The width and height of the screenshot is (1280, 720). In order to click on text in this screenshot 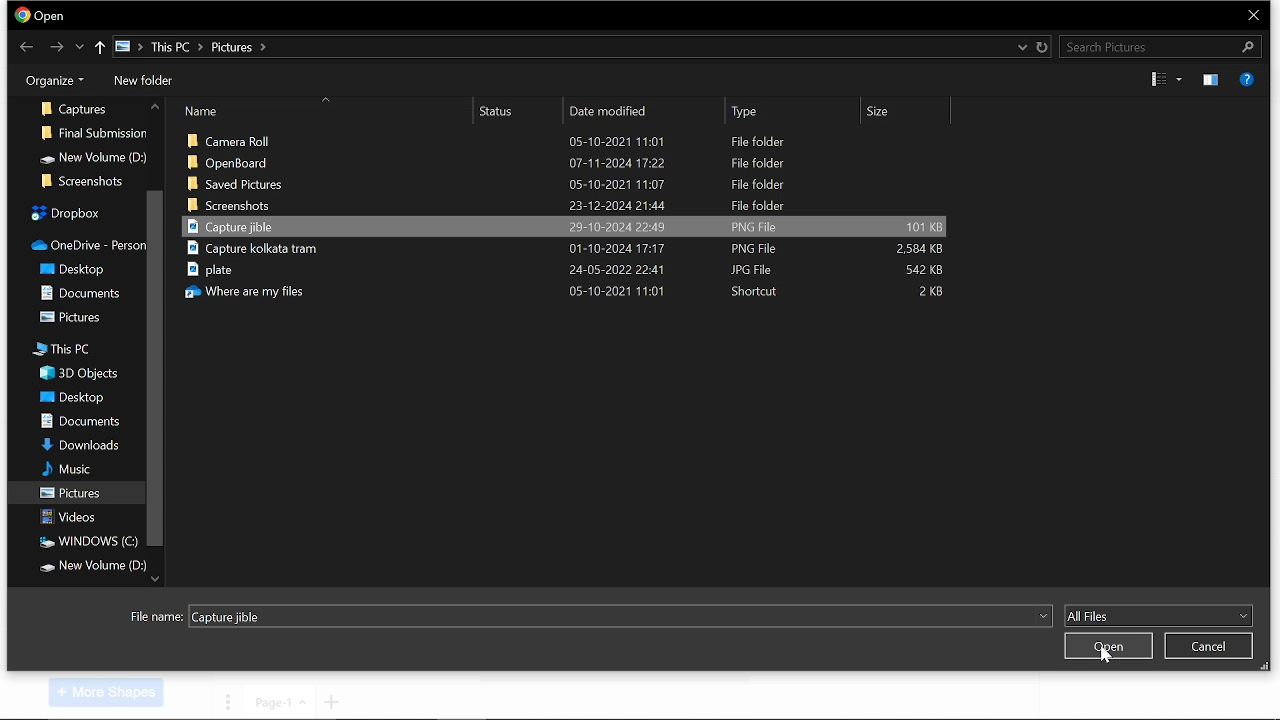, I will do `click(156, 617)`.